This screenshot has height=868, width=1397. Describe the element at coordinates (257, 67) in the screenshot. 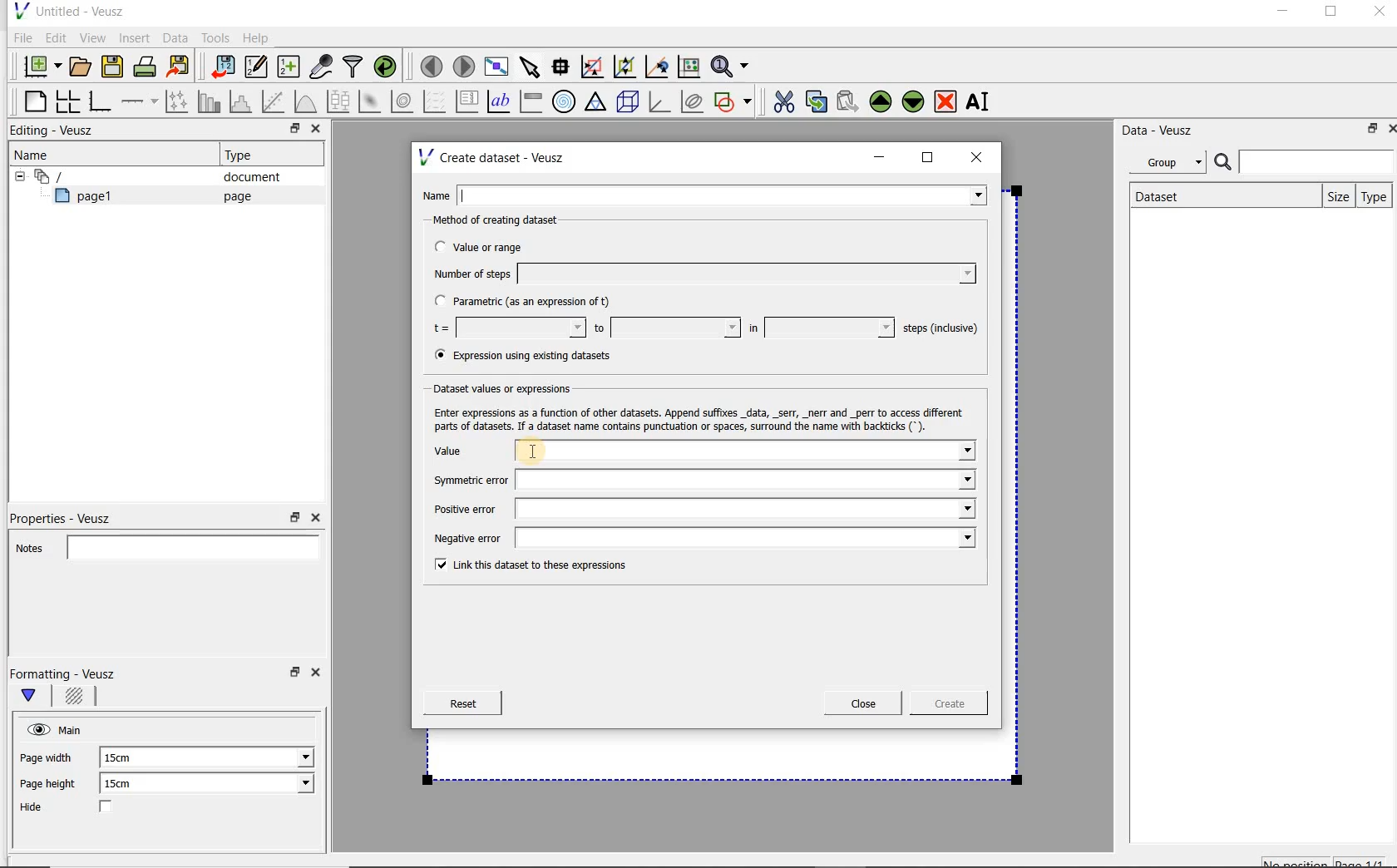

I see `Edit and enter new datasets` at that location.